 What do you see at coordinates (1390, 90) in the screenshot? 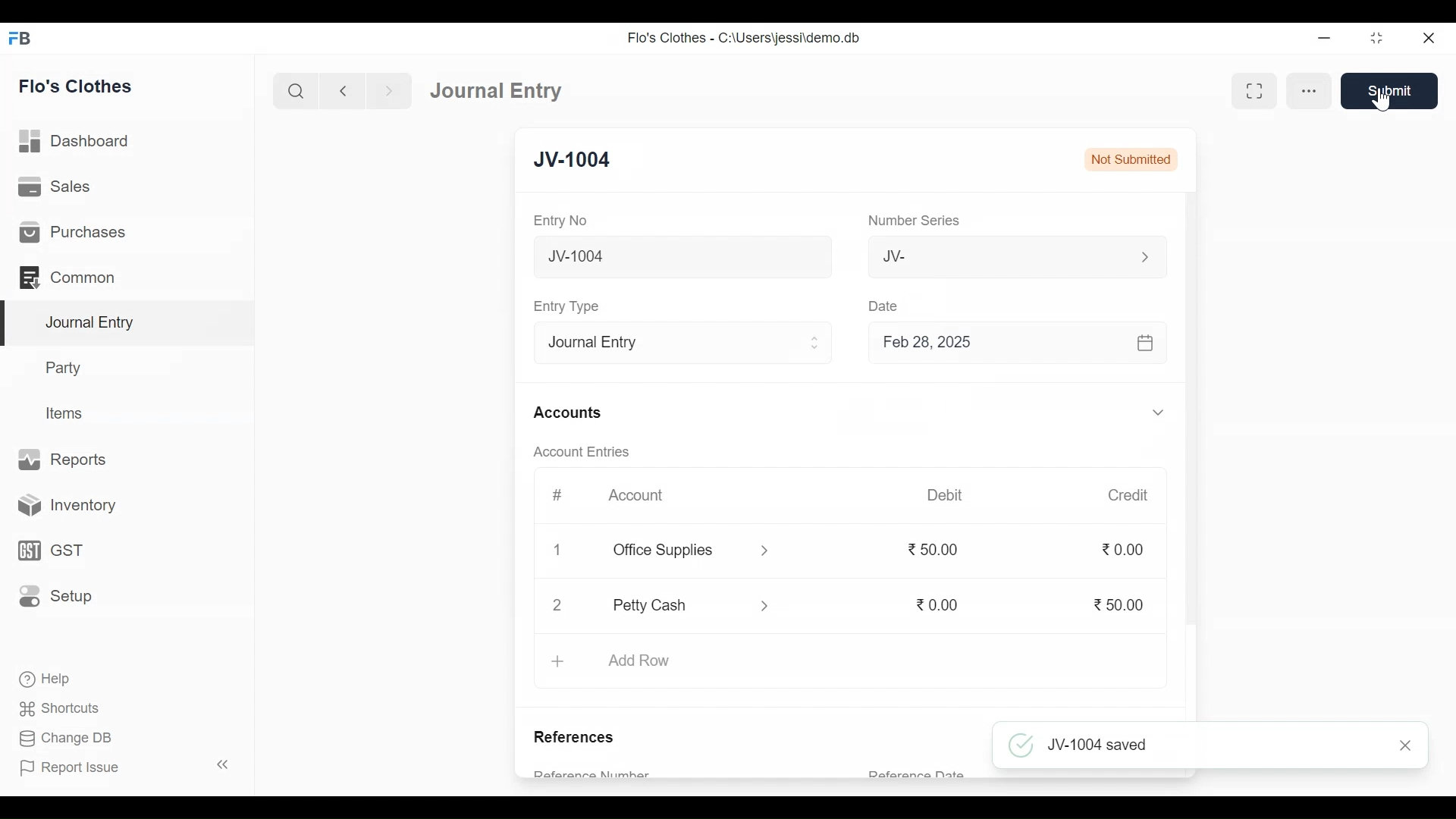
I see `Submit` at bounding box center [1390, 90].